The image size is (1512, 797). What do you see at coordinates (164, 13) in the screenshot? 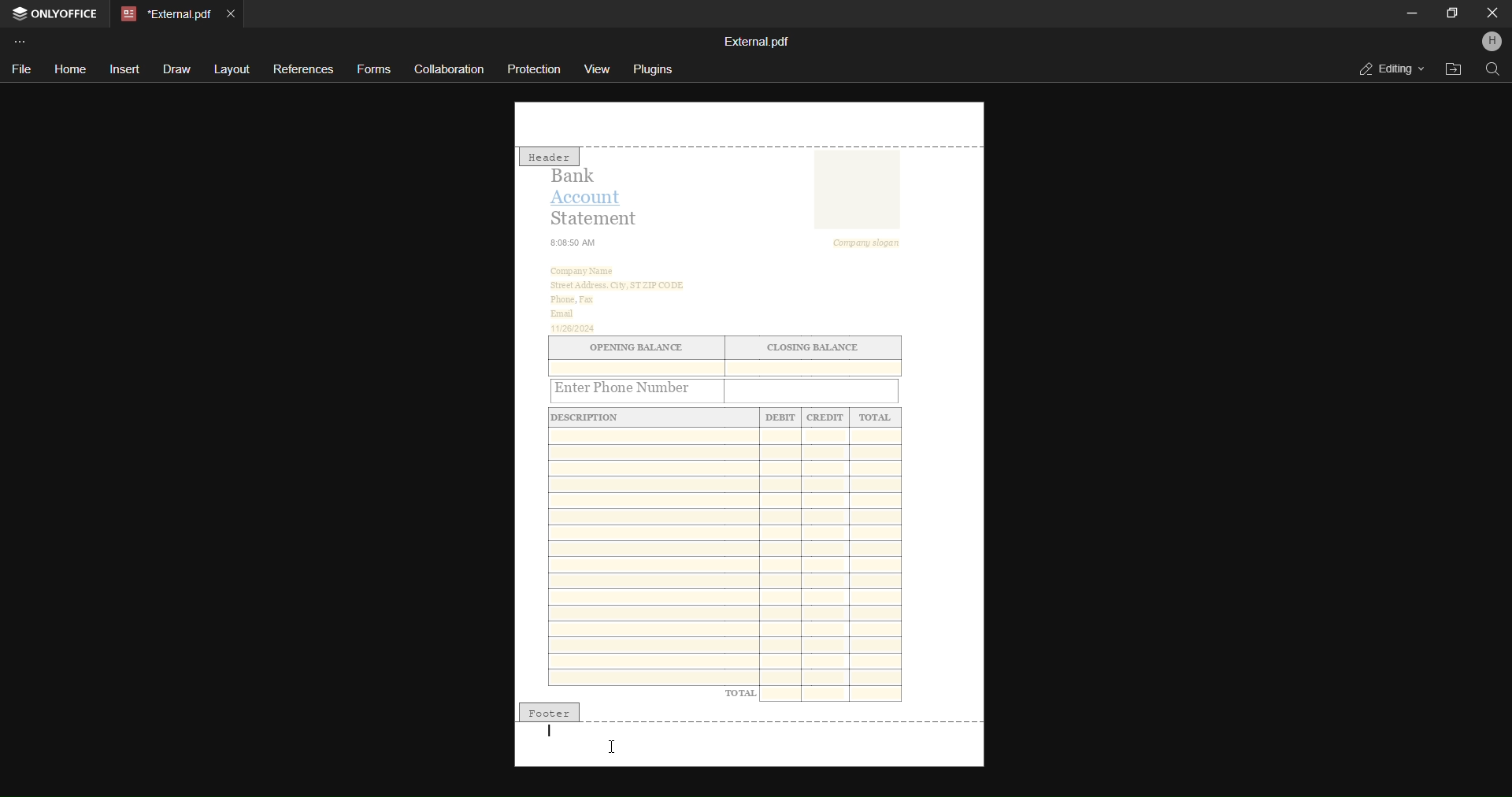
I see `current open tab` at bounding box center [164, 13].